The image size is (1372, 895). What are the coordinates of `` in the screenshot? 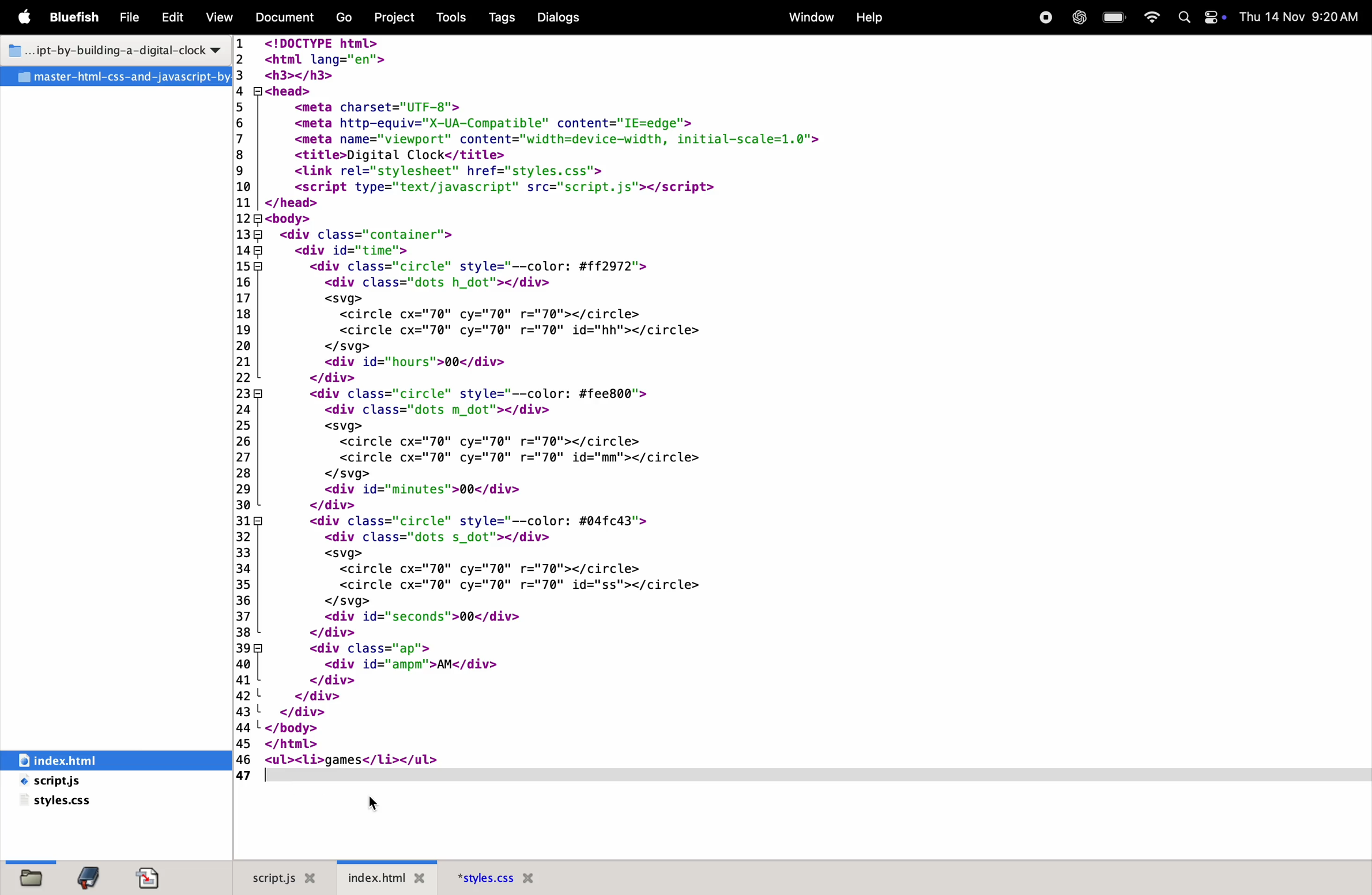 It's located at (367, 761).